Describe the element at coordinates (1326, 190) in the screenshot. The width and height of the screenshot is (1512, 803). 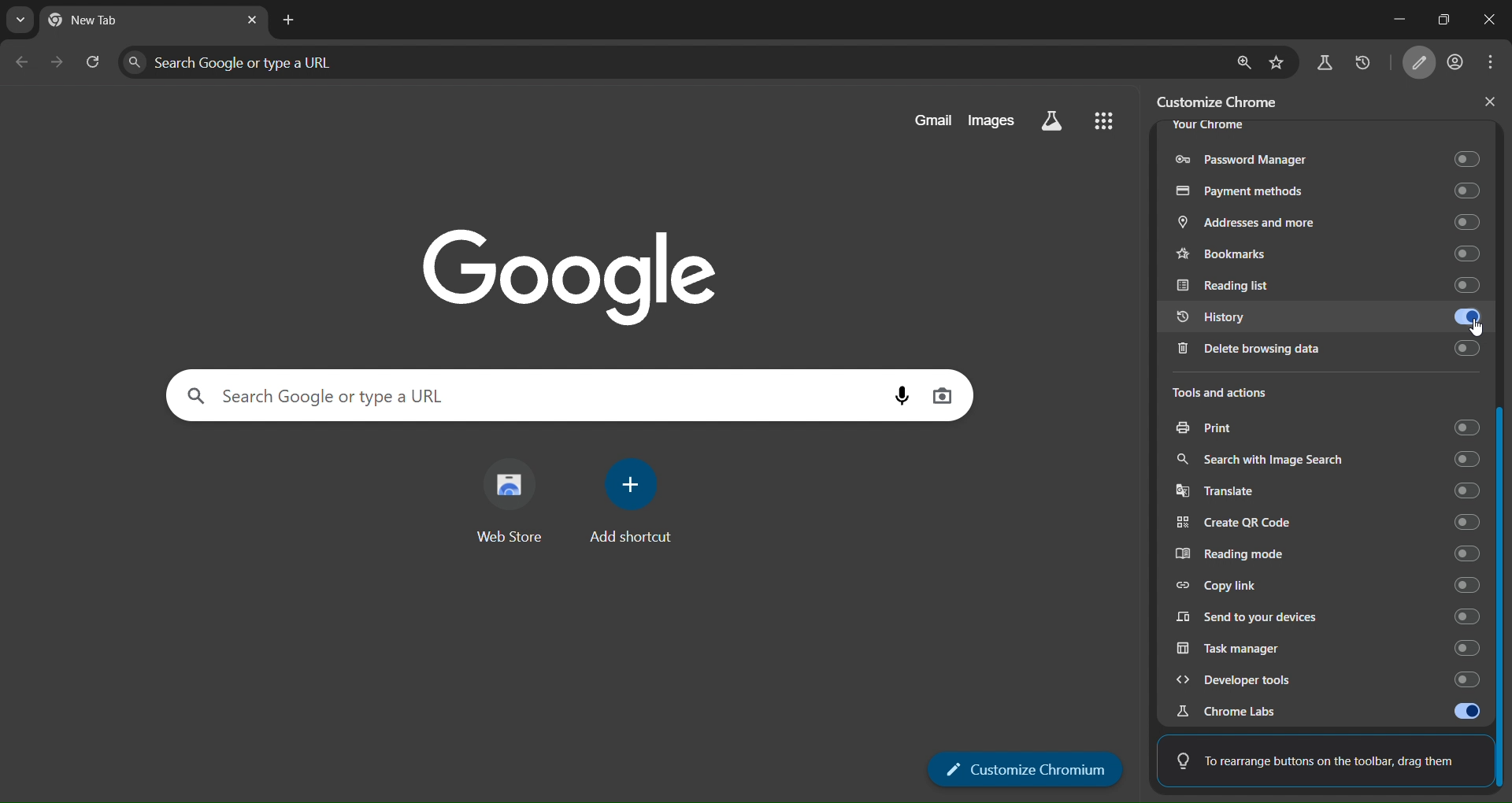
I see `payment methods` at that location.